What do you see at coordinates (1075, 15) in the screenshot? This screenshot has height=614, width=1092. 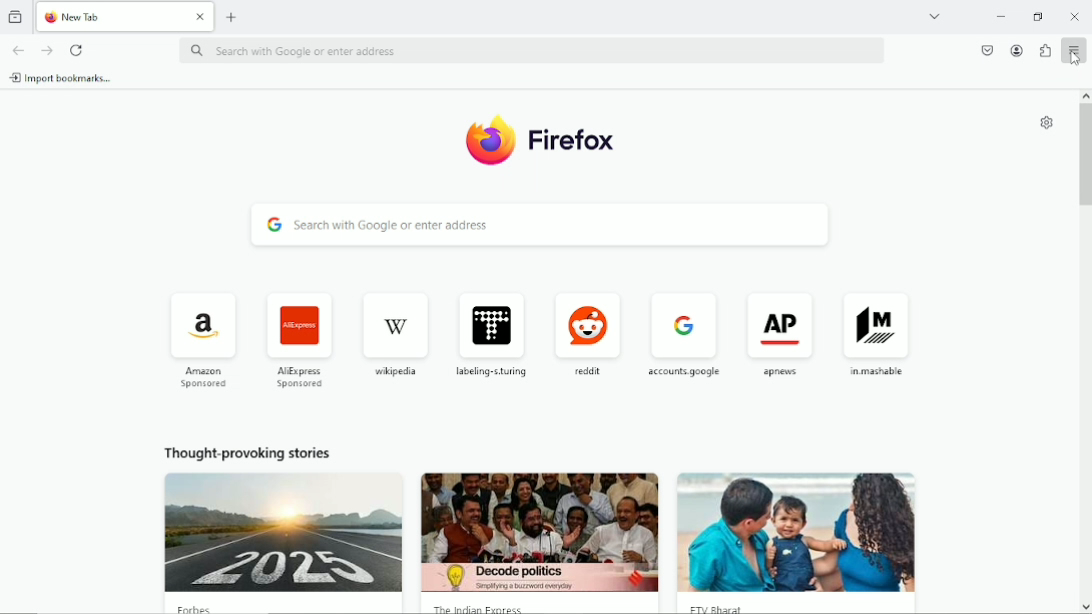 I see `Close` at bounding box center [1075, 15].